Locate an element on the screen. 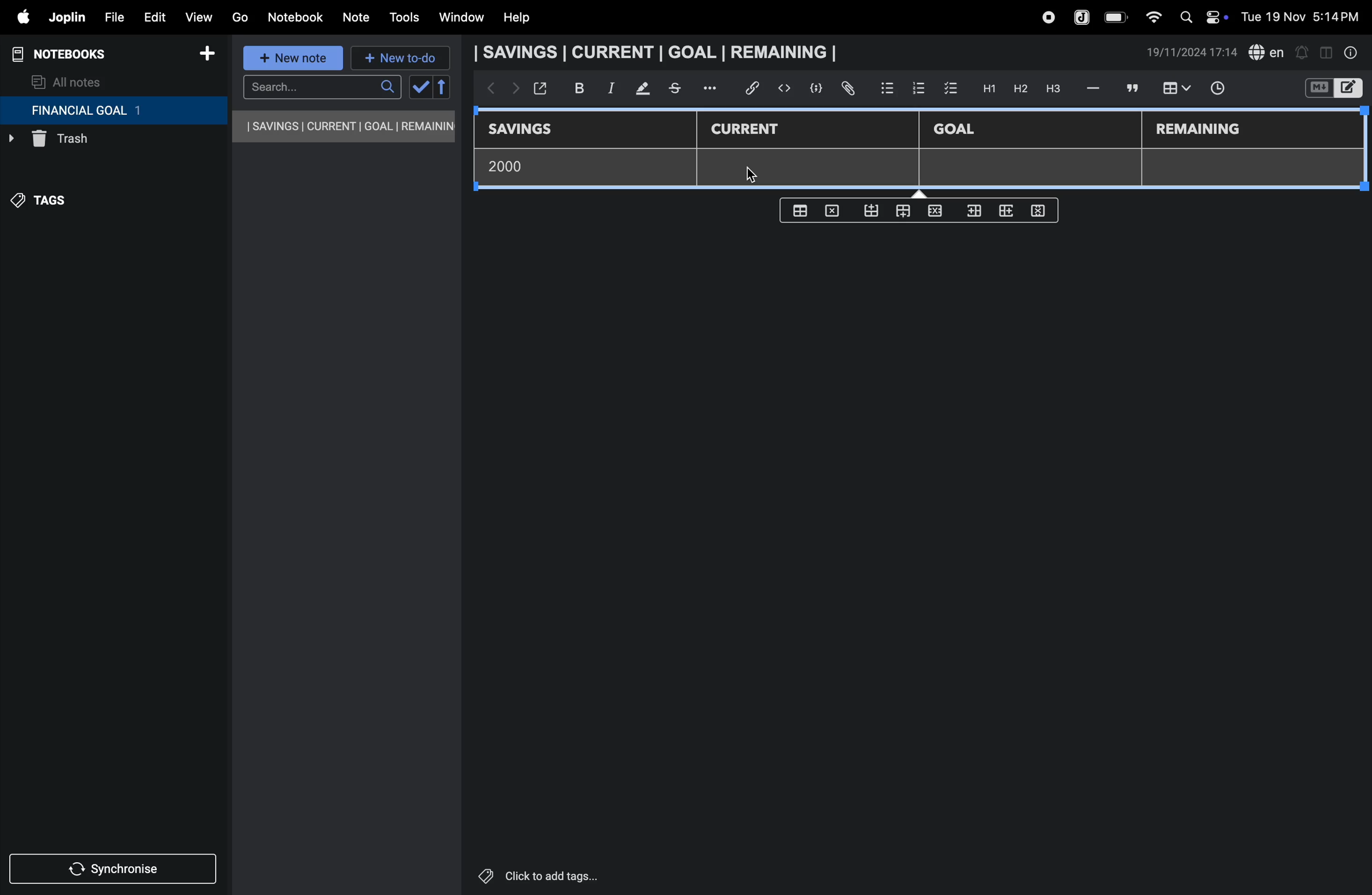 The image size is (1372, 895). synchronize is located at coordinates (114, 867).